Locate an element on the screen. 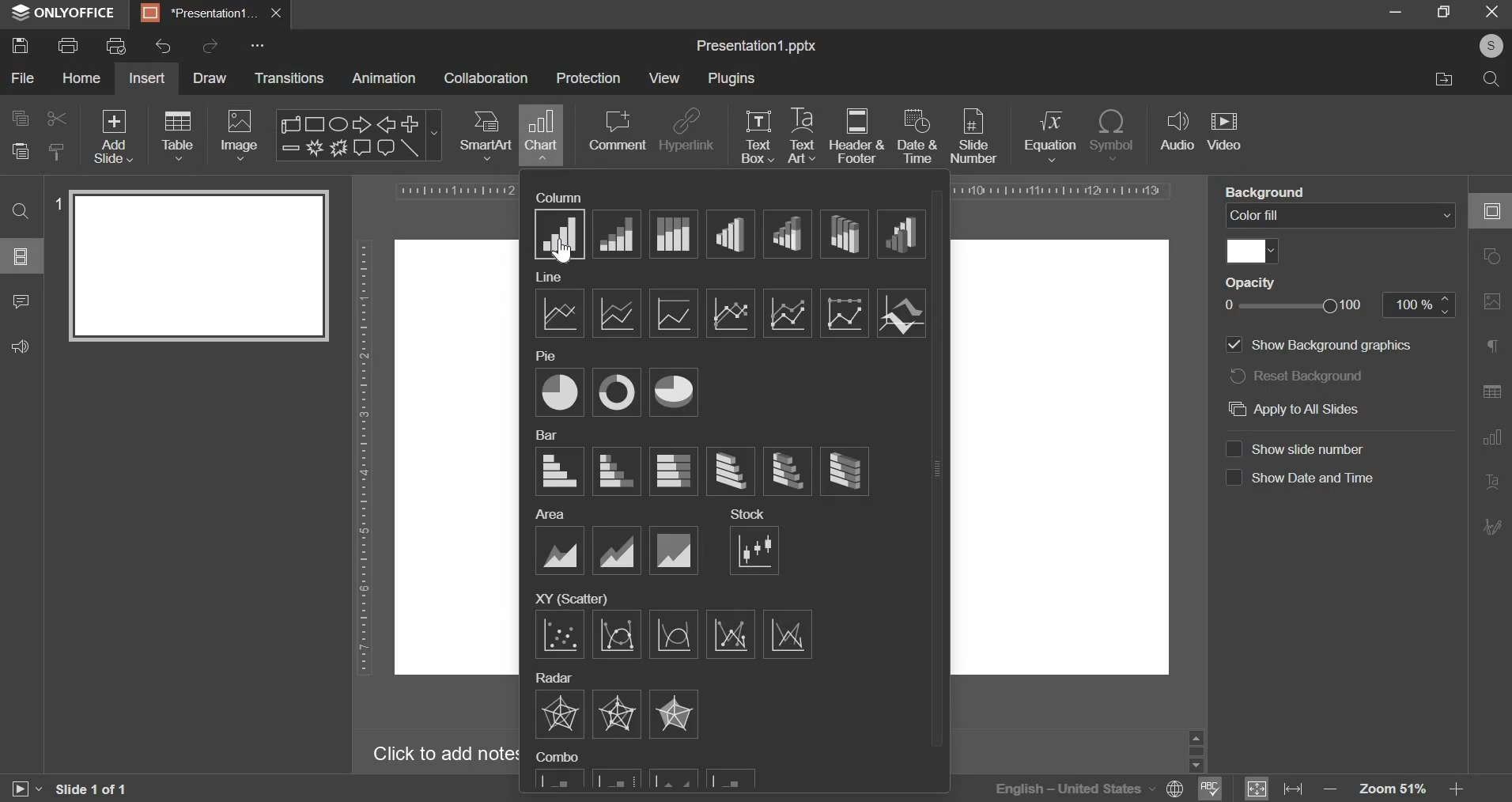  language is located at coordinates (1069, 790).